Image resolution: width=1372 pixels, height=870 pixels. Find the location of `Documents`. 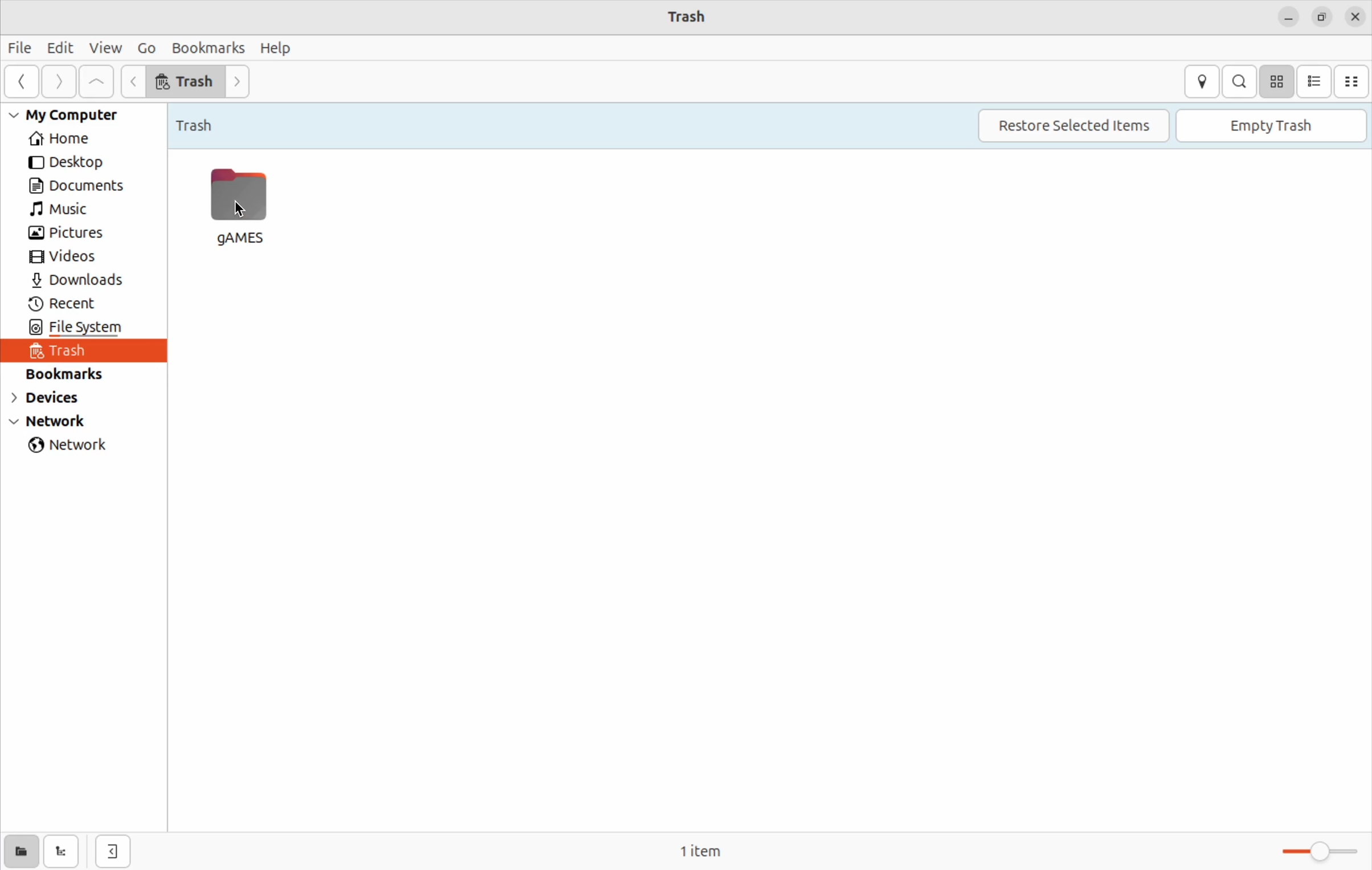

Documents is located at coordinates (82, 185).